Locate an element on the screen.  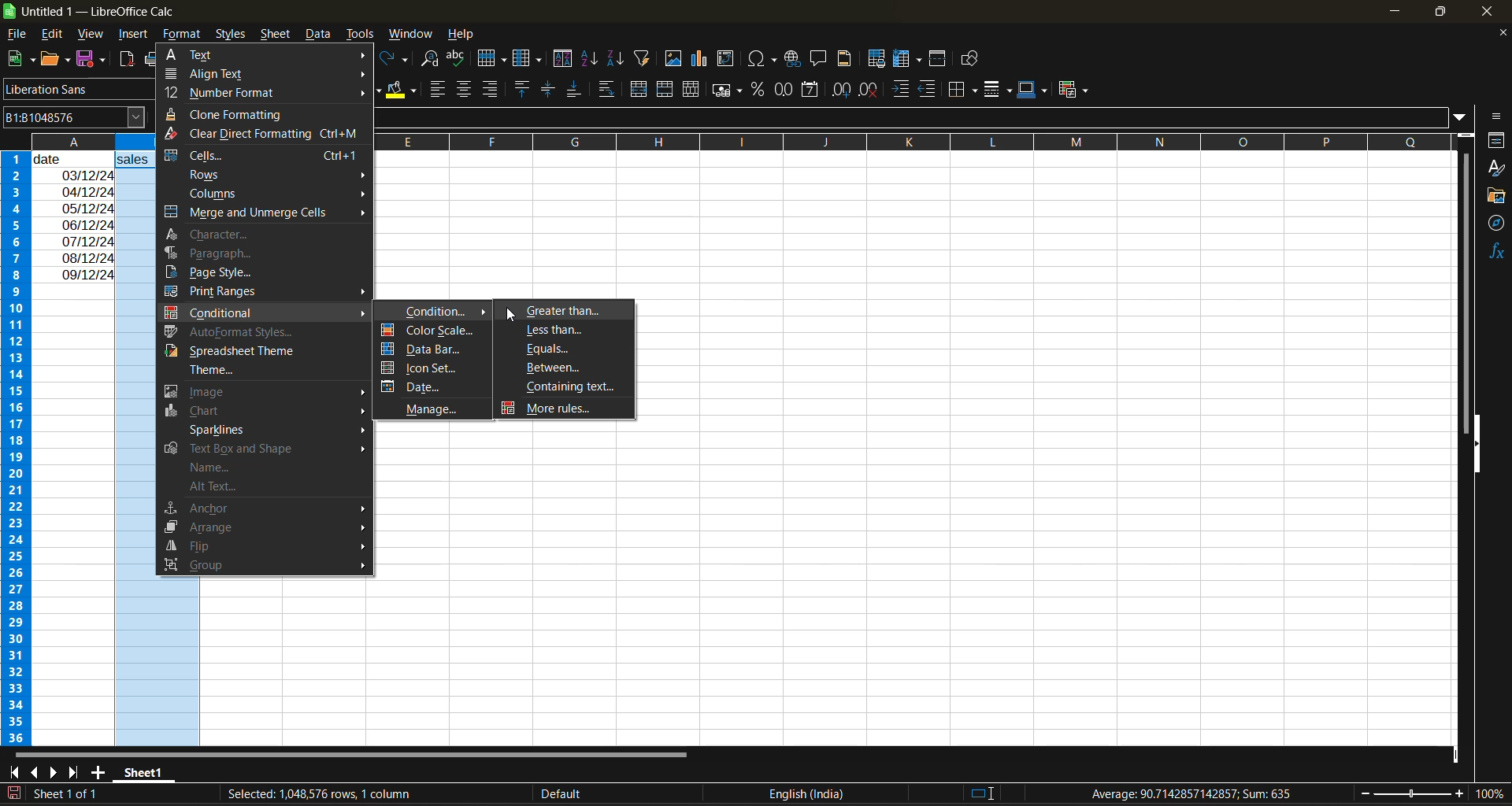
minimize is located at coordinates (1396, 9).